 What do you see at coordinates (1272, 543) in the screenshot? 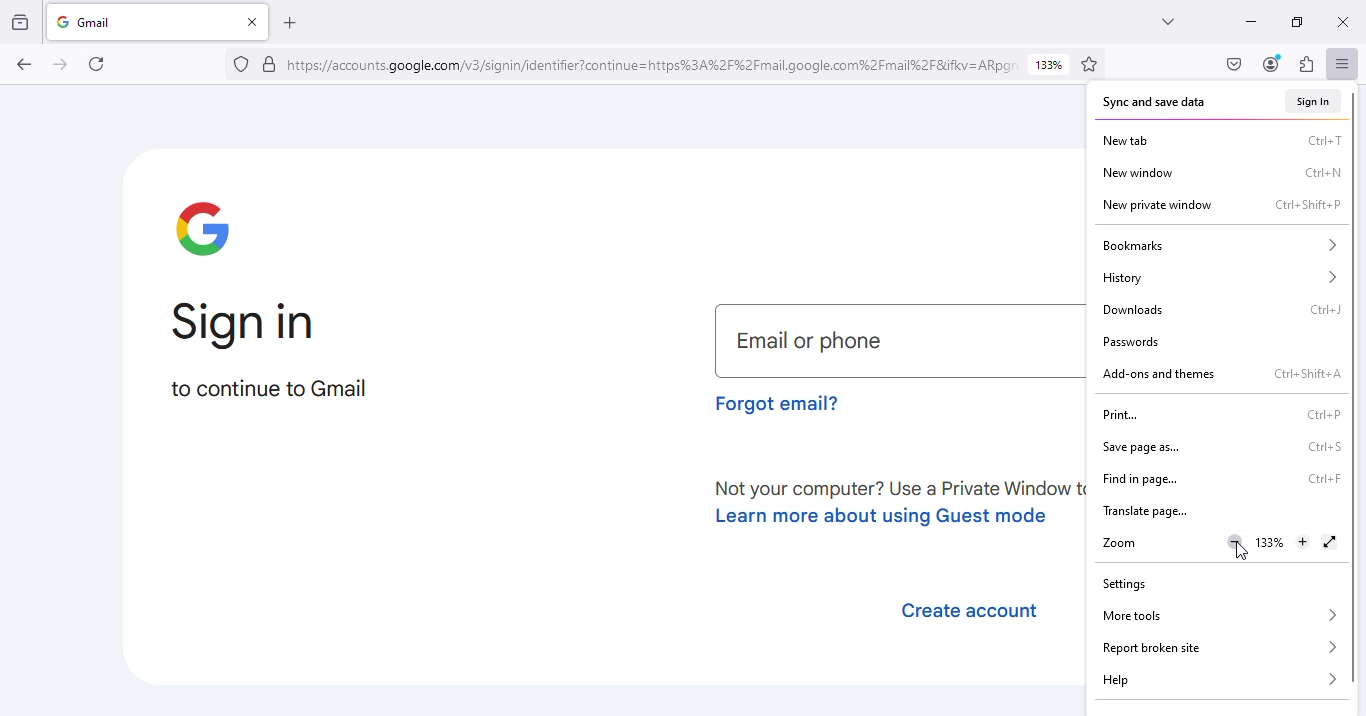
I see `zoom in level 133%` at bounding box center [1272, 543].